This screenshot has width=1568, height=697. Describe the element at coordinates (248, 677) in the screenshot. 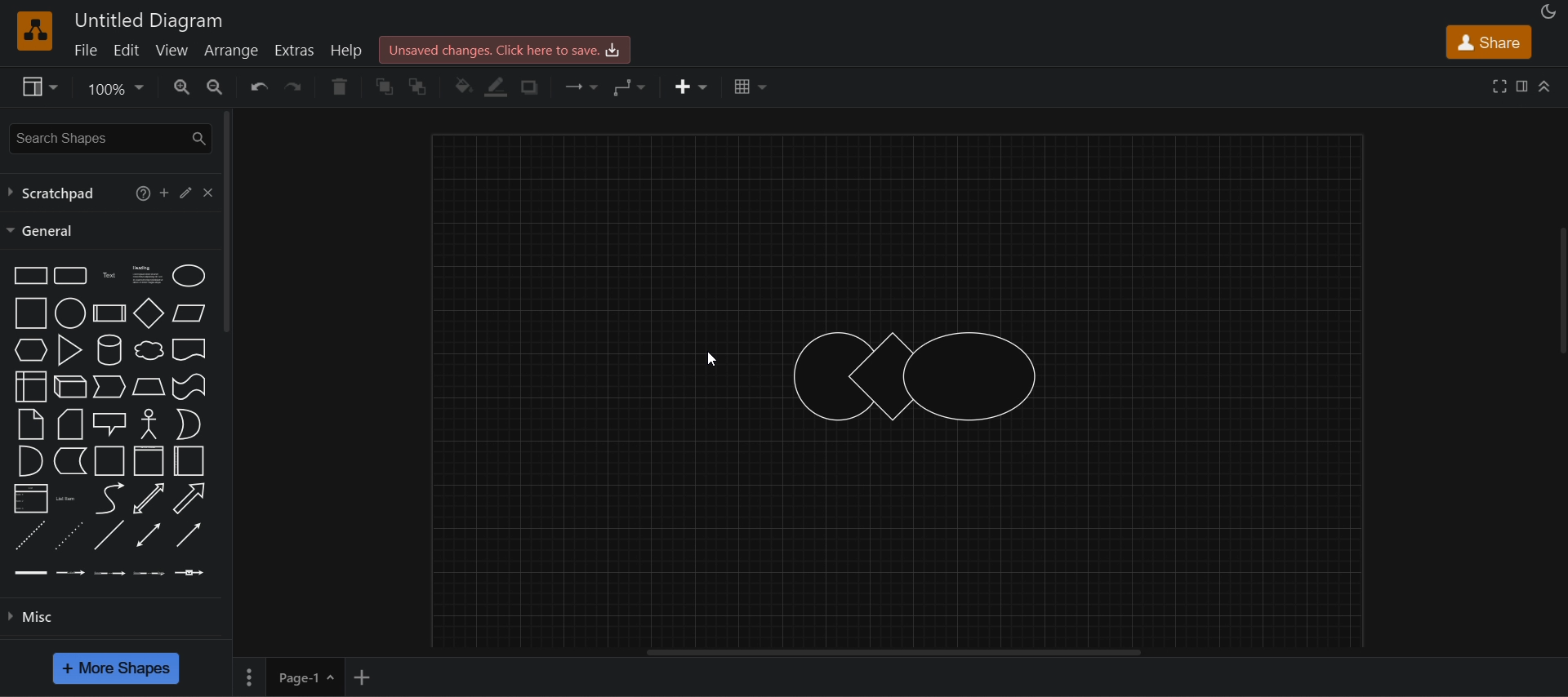

I see `page options` at that location.